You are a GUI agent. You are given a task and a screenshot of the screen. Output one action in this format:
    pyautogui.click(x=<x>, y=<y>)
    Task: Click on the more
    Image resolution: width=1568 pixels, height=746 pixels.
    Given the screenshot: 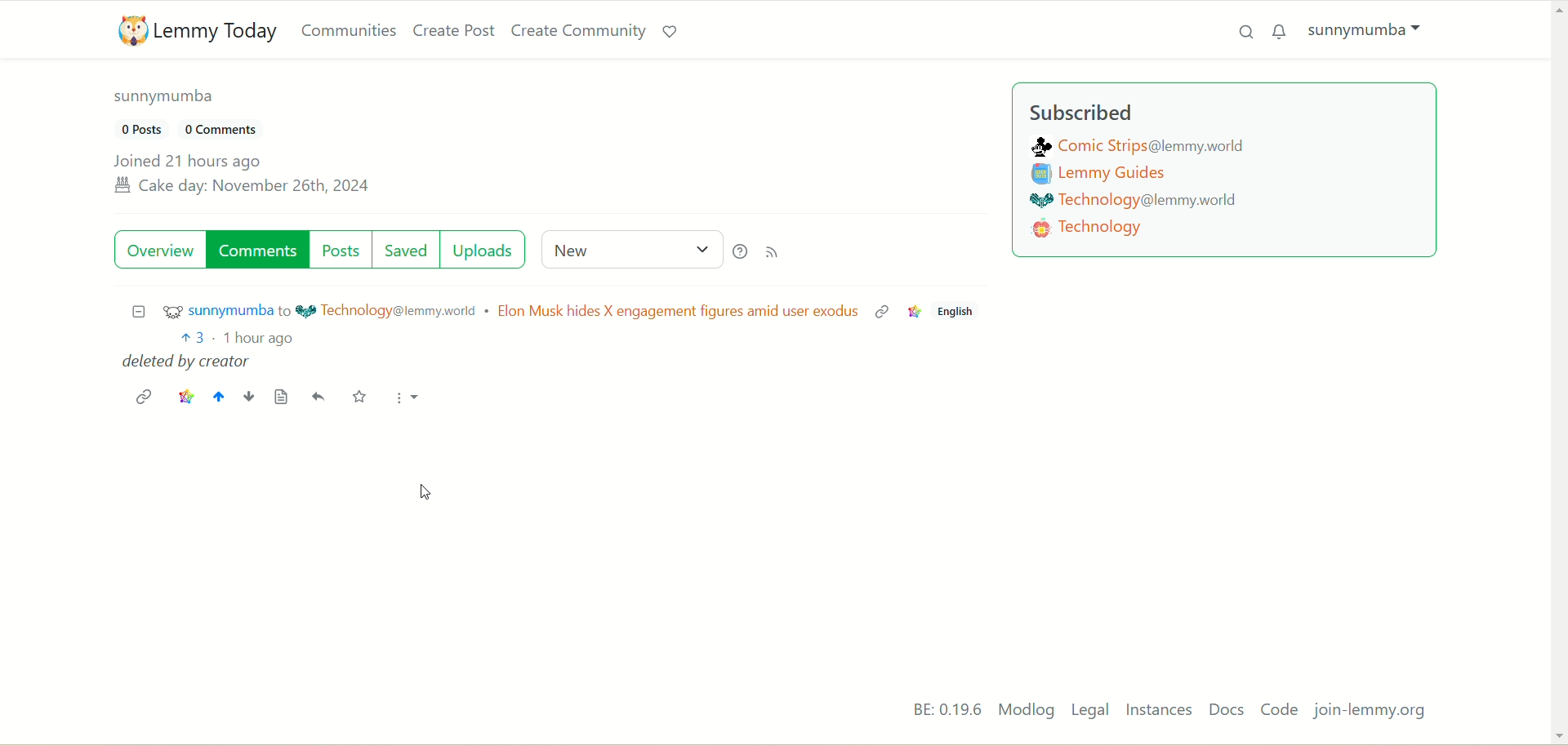 What is the action you would take?
    pyautogui.click(x=406, y=399)
    